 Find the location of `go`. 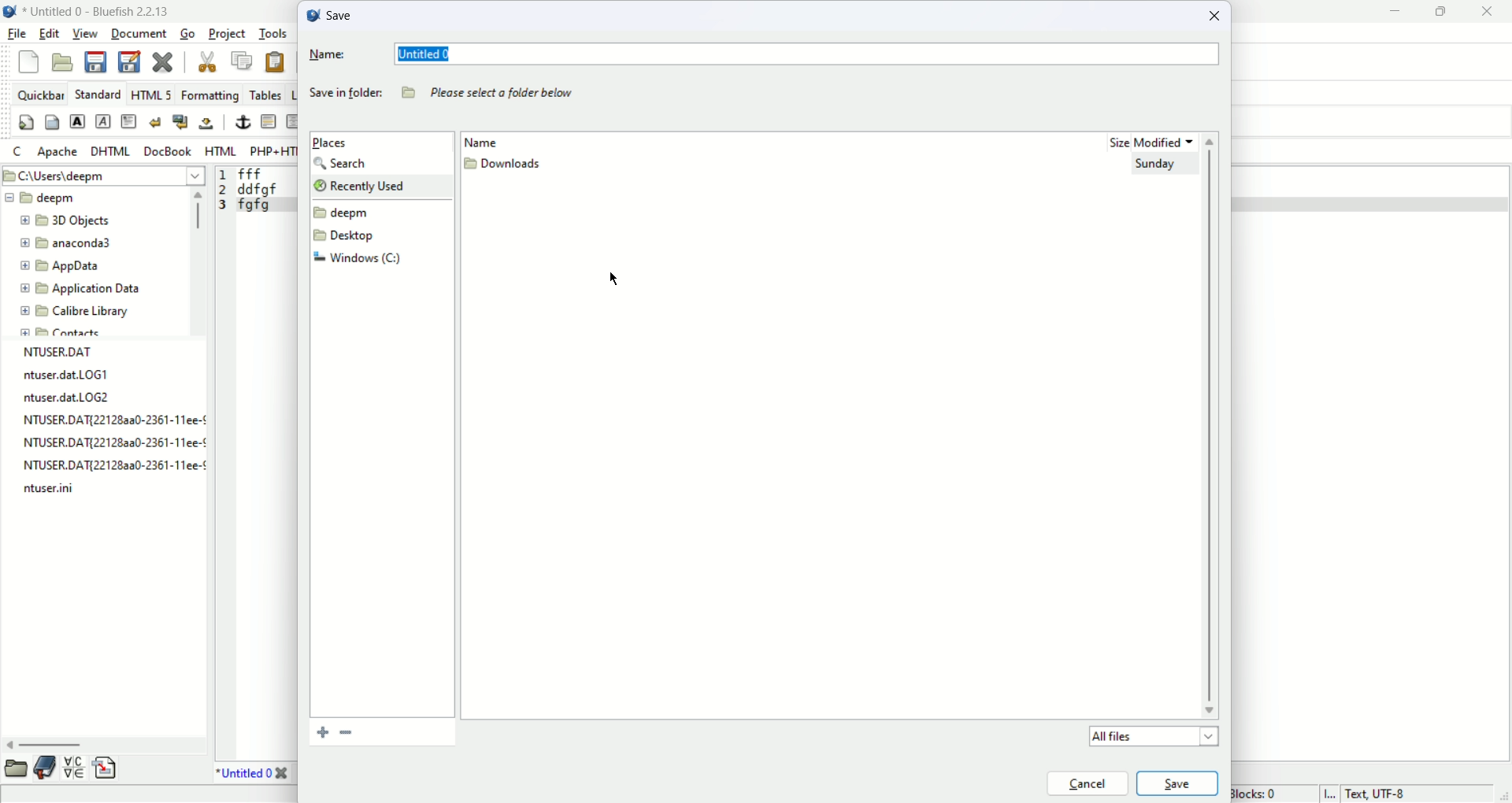

go is located at coordinates (187, 34).